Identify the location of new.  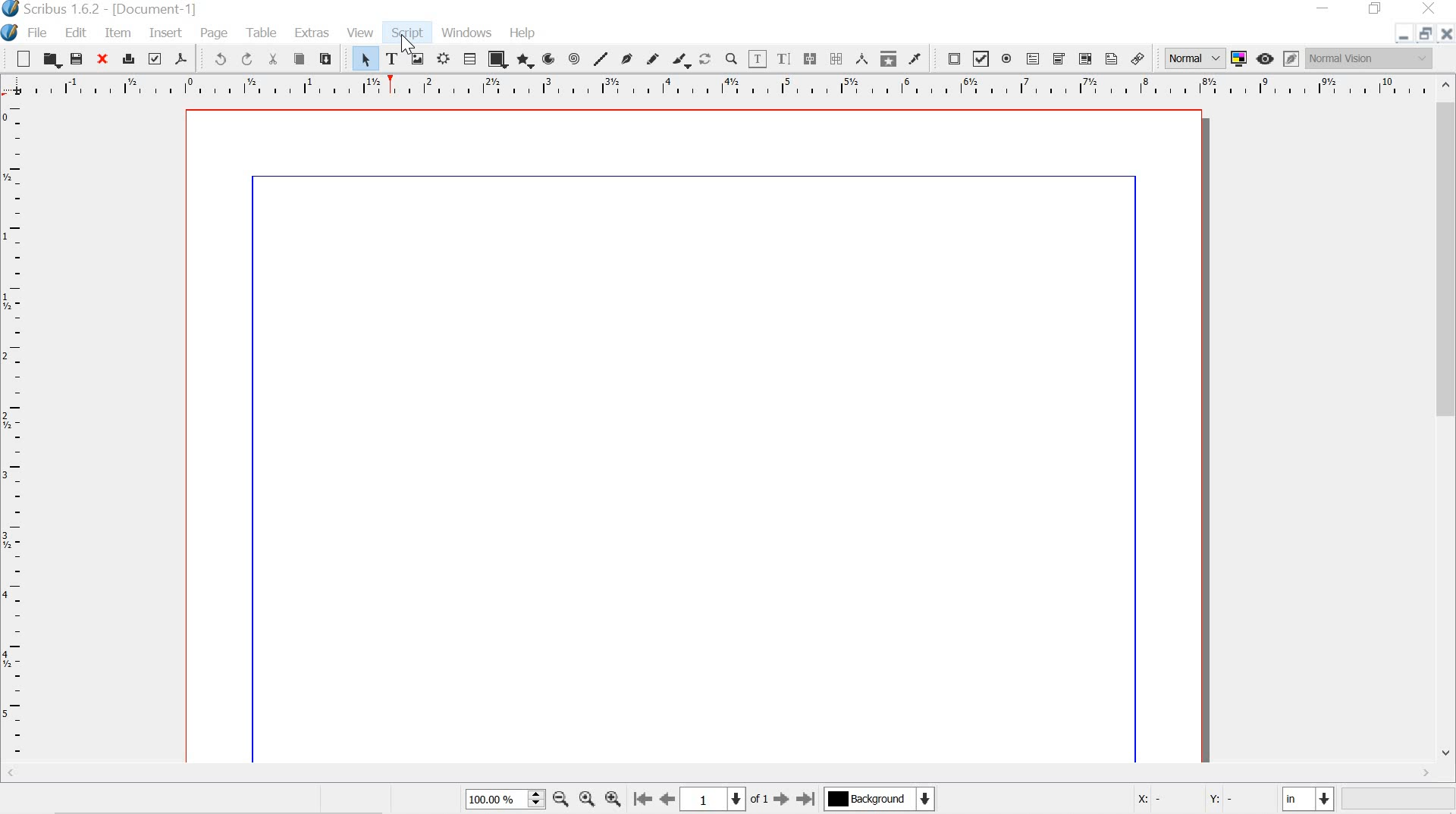
(18, 58).